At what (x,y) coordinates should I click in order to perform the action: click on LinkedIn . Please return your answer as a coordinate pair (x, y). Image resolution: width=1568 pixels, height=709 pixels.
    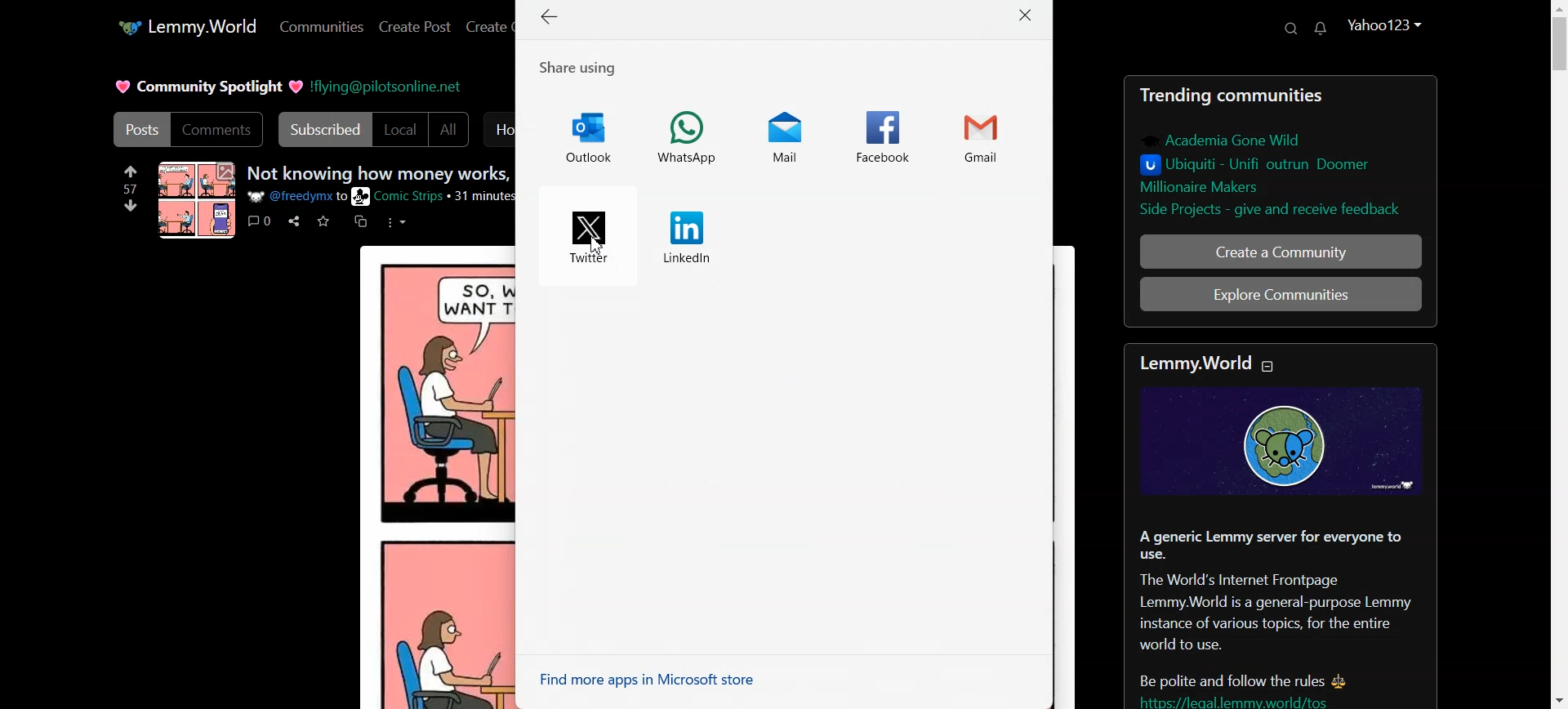
    Looking at the image, I should click on (685, 236).